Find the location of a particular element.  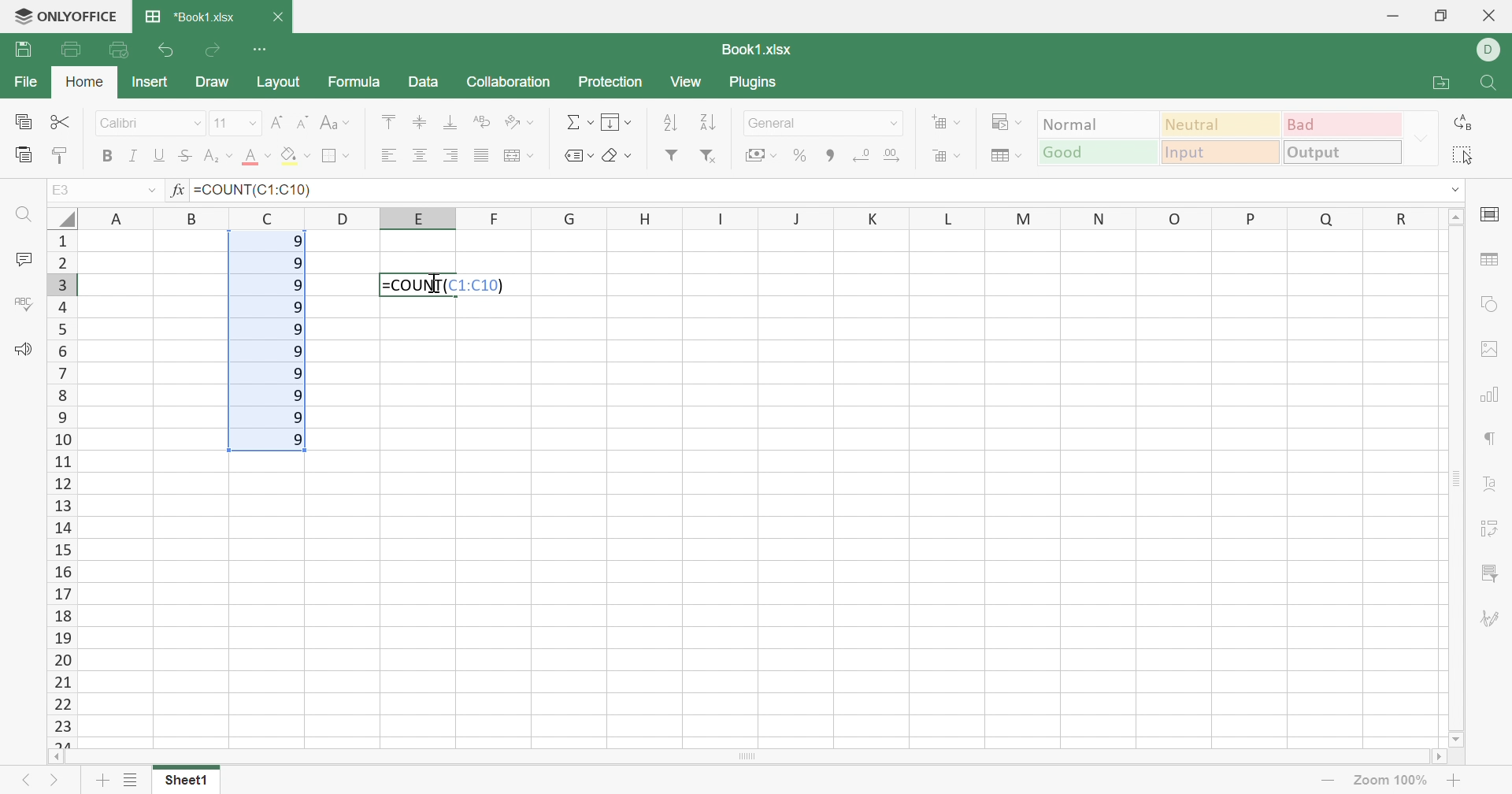

                                                                                                                                                                                                                                                                                                                                                                                                                                                                                                                                                                                     is located at coordinates (615, 155).